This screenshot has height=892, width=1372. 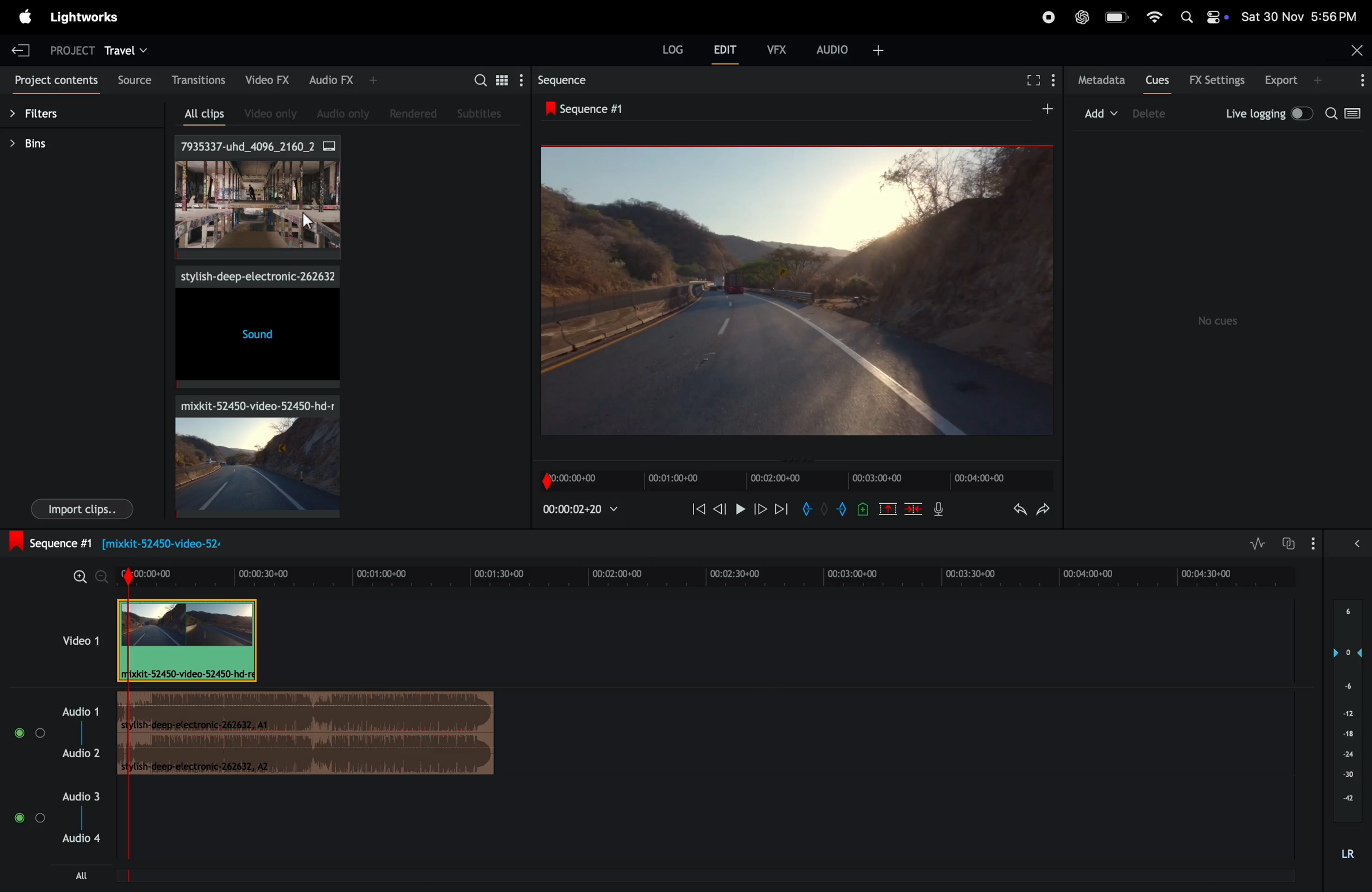 I want to click on add, so click(x=1099, y=112).